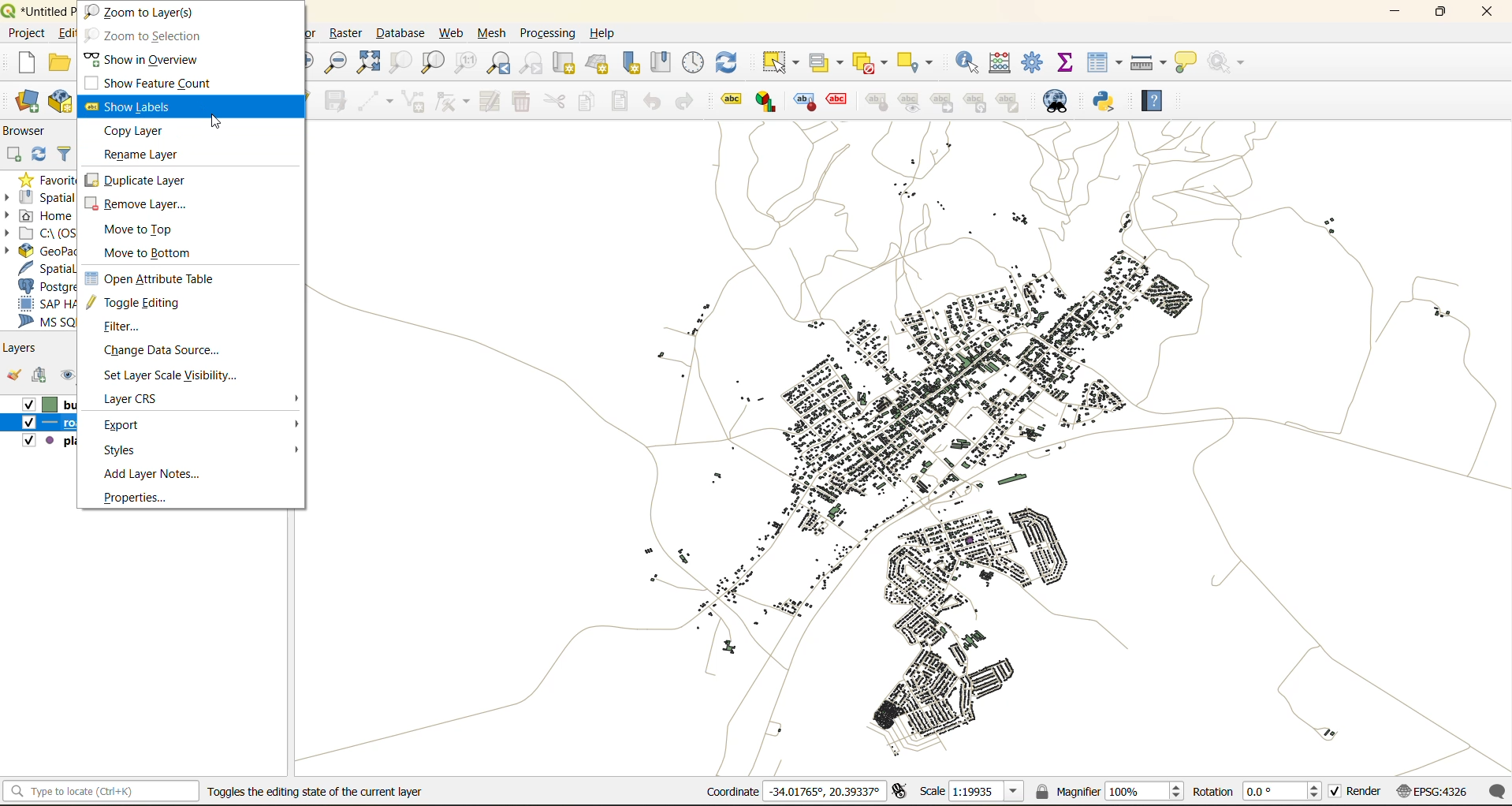 This screenshot has height=806, width=1512. What do you see at coordinates (348, 35) in the screenshot?
I see `raster` at bounding box center [348, 35].